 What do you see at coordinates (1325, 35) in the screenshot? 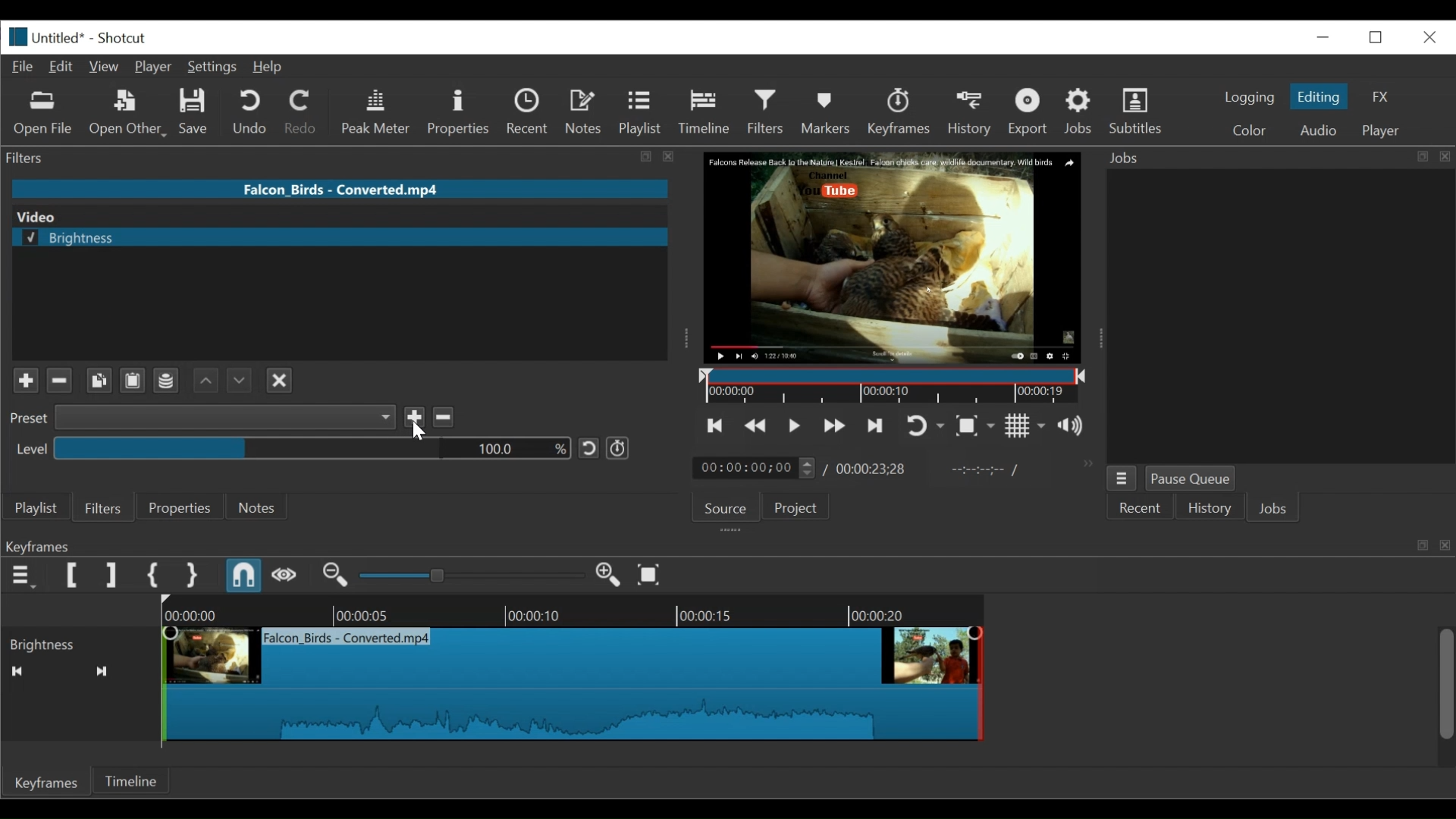
I see `Restore` at bounding box center [1325, 35].